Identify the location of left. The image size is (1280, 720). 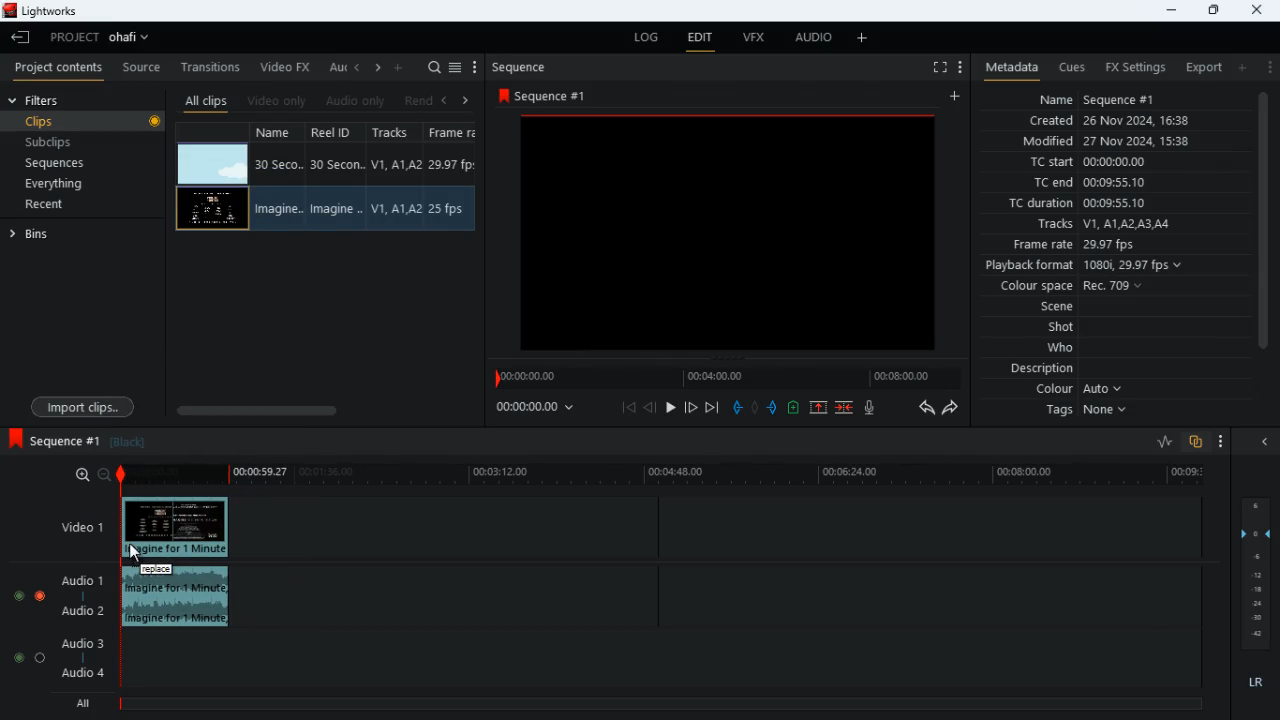
(447, 100).